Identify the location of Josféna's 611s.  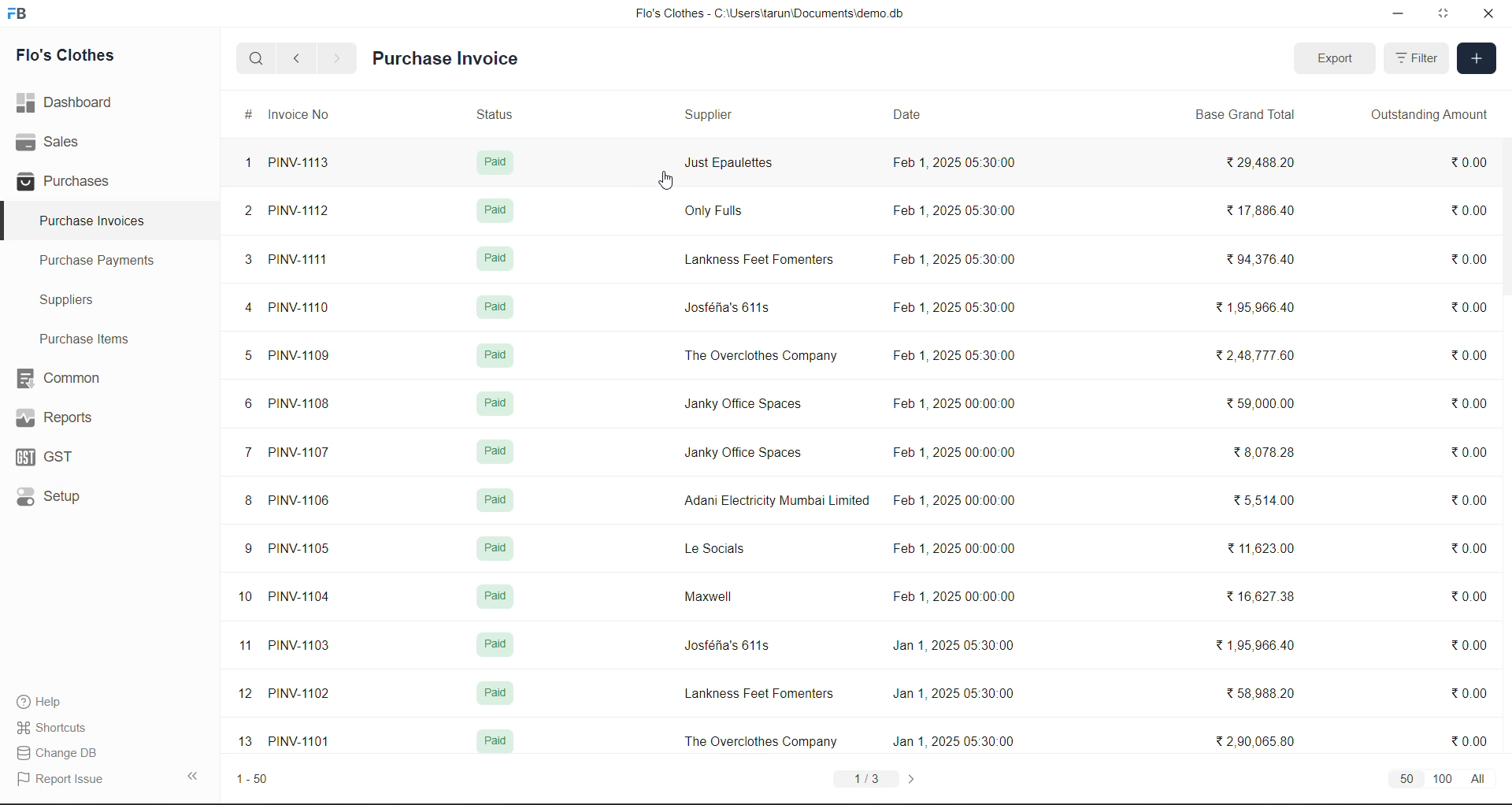
(728, 308).